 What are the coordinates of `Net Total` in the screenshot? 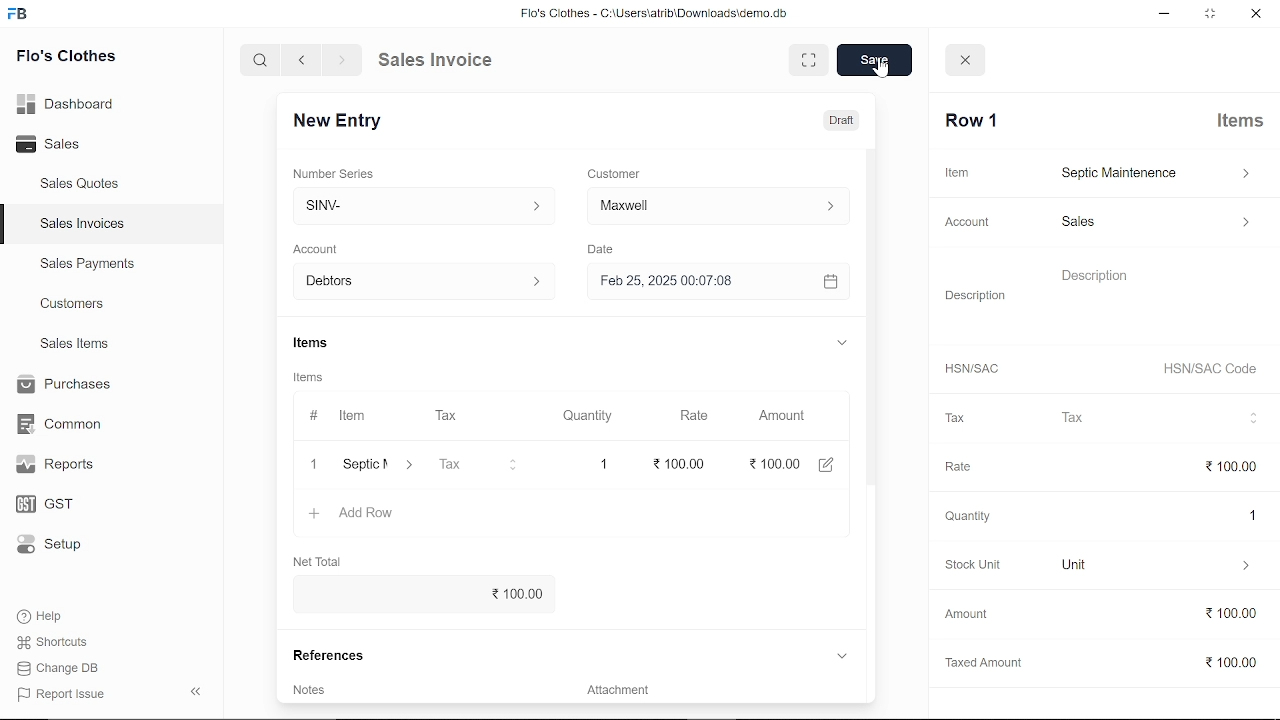 It's located at (323, 559).